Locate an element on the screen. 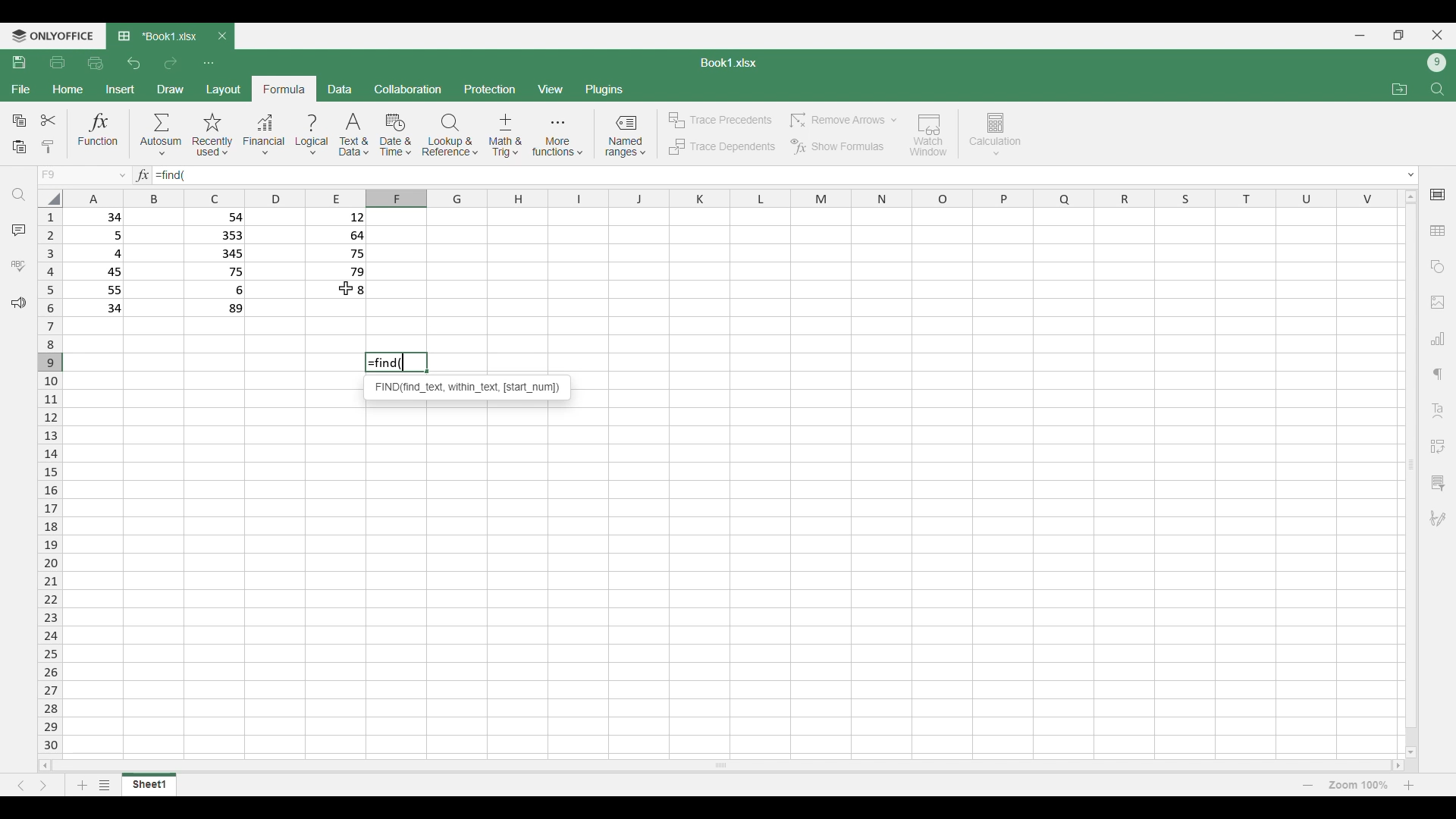 The image size is (1456, 819). Find is located at coordinates (1437, 89).